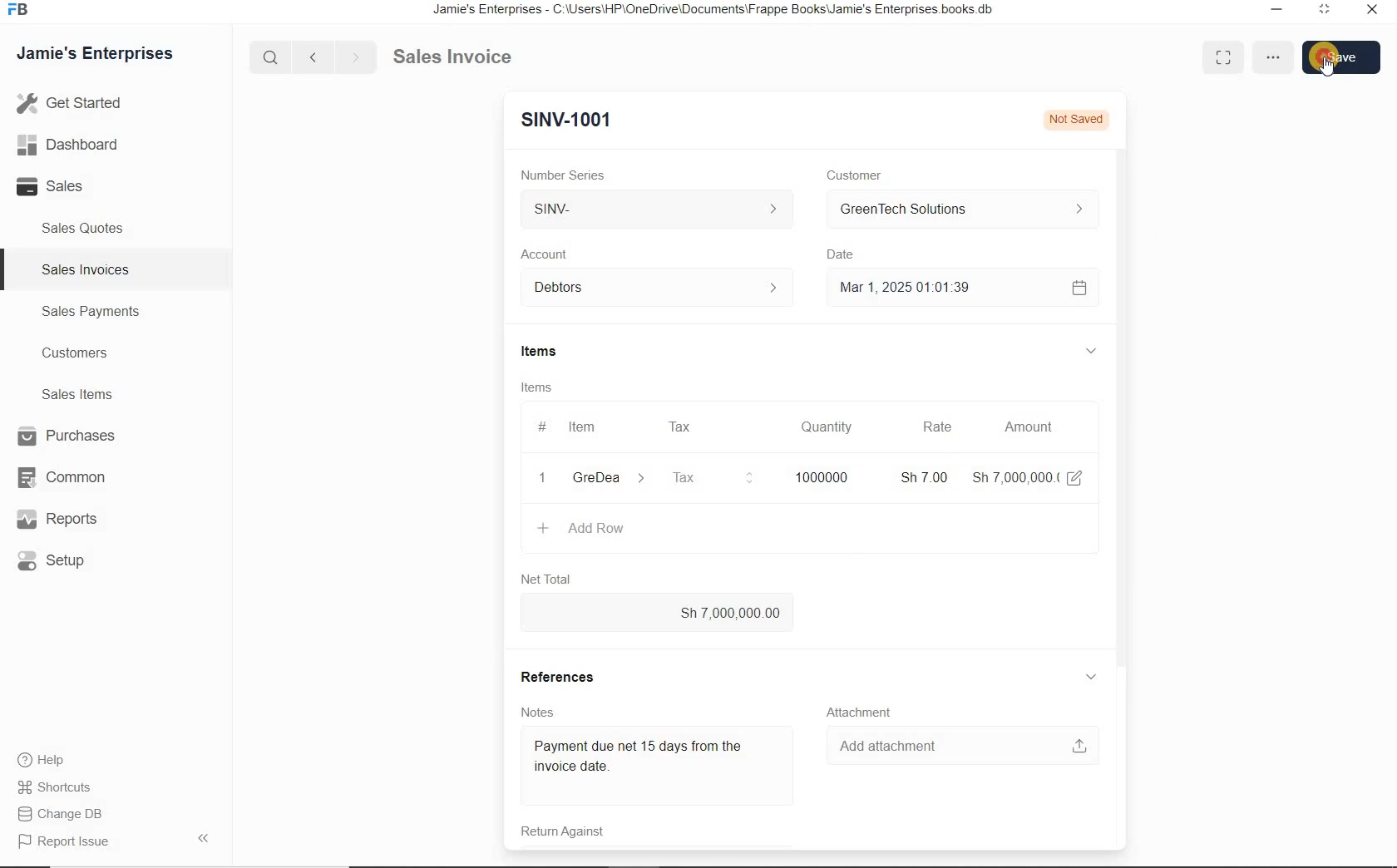 This screenshot has width=1397, height=868. I want to click on Tax, so click(682, 426).